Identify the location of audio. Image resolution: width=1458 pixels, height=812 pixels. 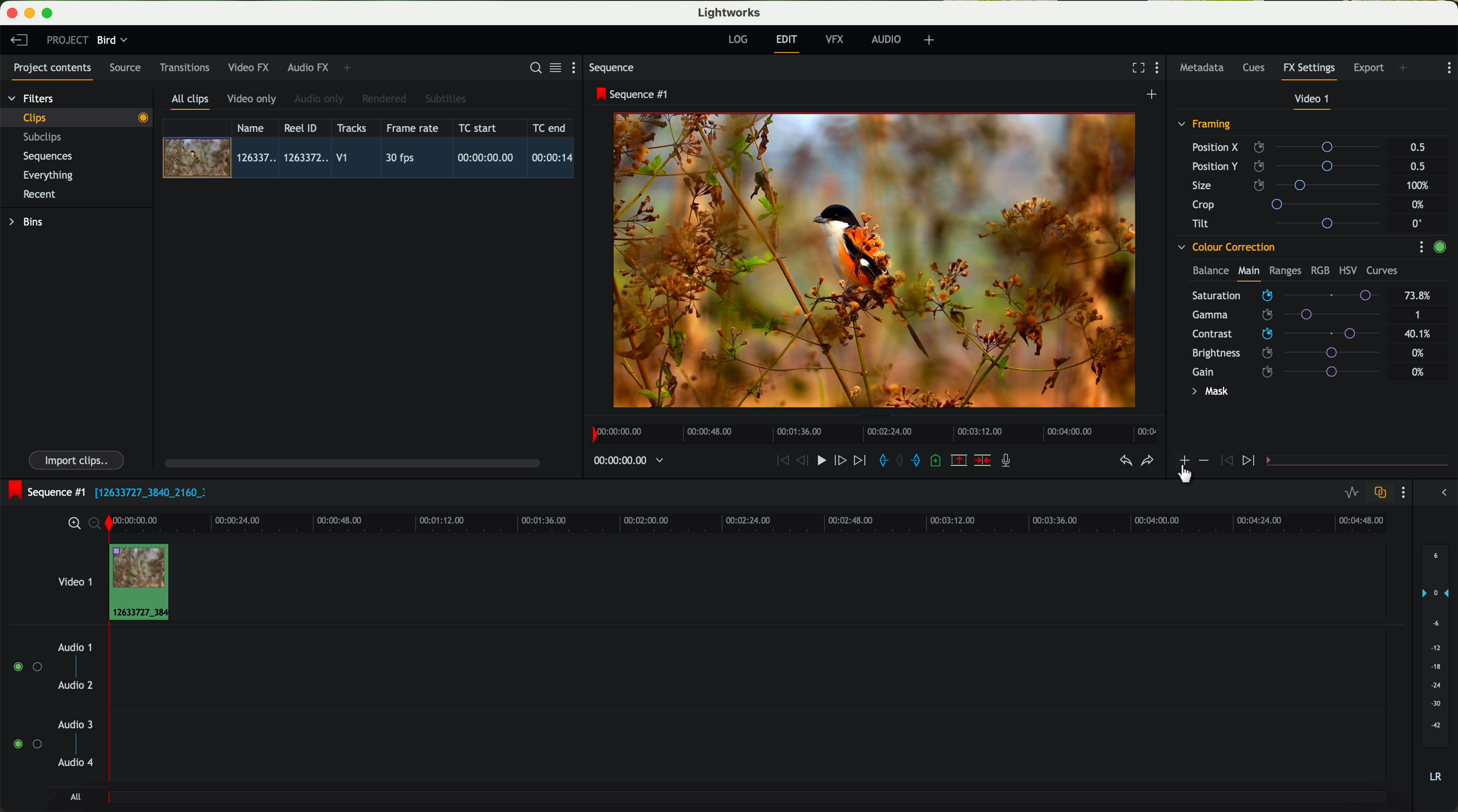
(886, 39).